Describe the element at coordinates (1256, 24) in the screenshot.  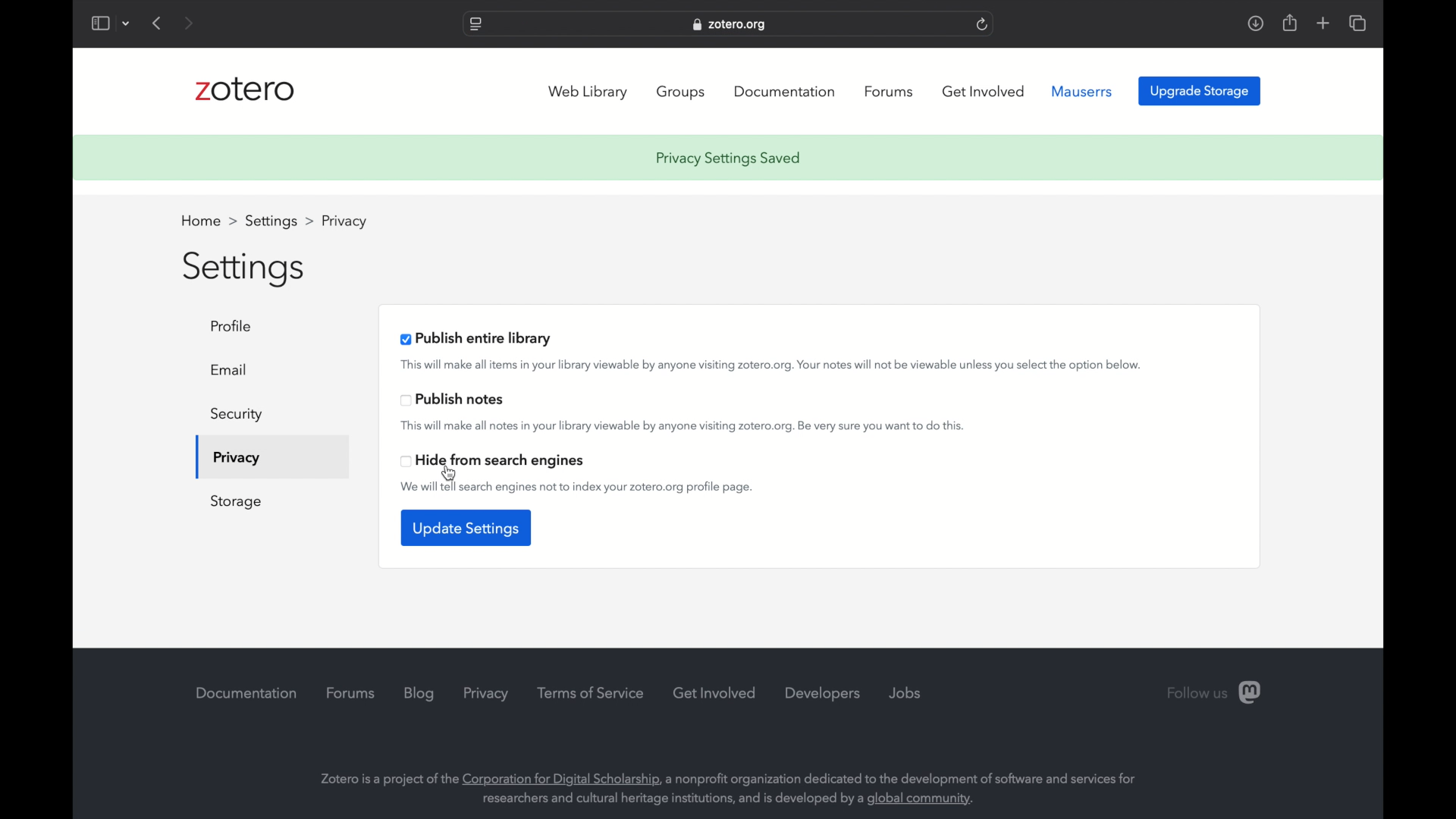
I see `download` at that location.